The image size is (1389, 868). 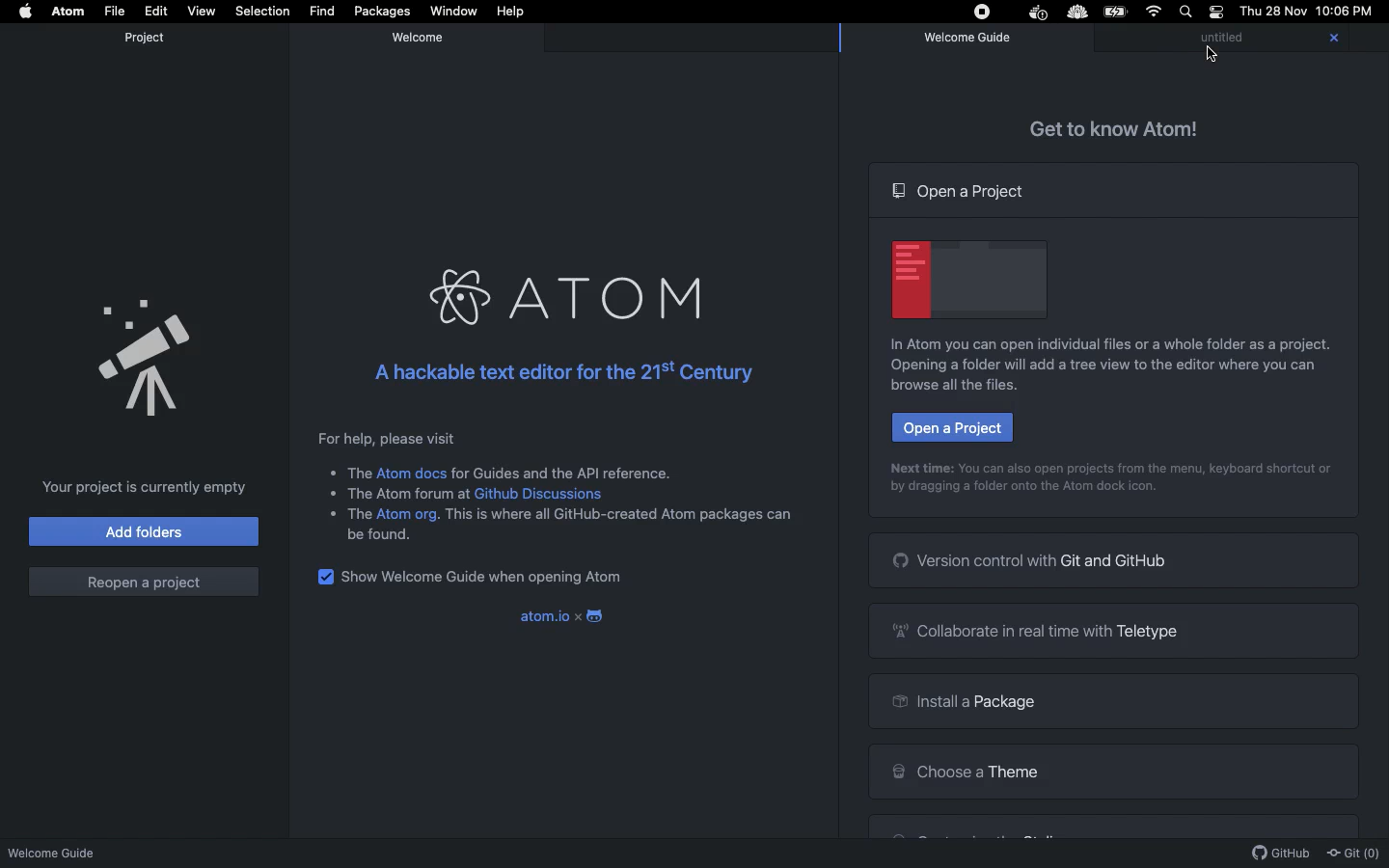 What do you see at coordinates (422, 37) in the screenshot?
I see `Welcome` at bounding box center [422, 37].